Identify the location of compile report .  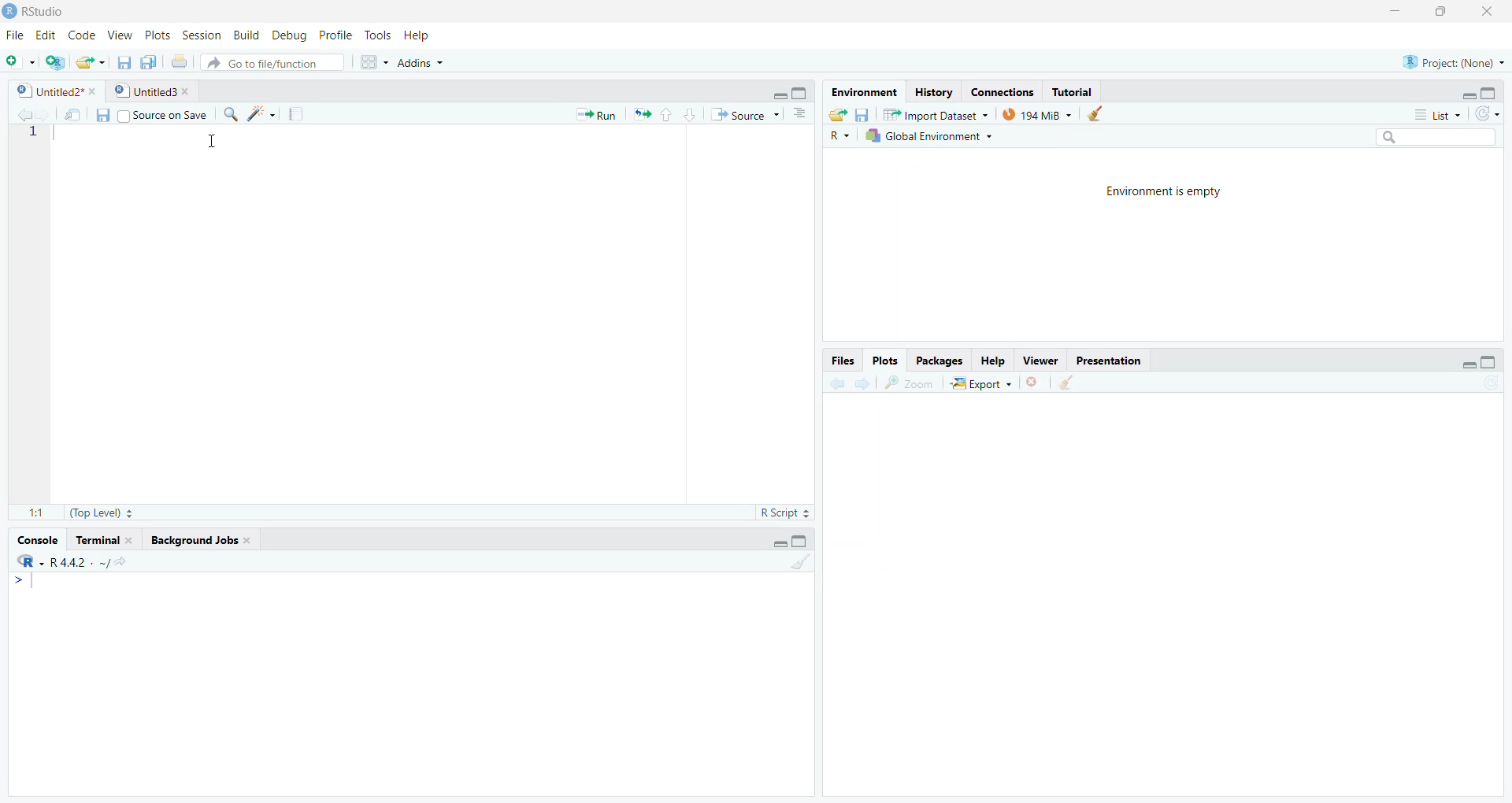
(300, 114).